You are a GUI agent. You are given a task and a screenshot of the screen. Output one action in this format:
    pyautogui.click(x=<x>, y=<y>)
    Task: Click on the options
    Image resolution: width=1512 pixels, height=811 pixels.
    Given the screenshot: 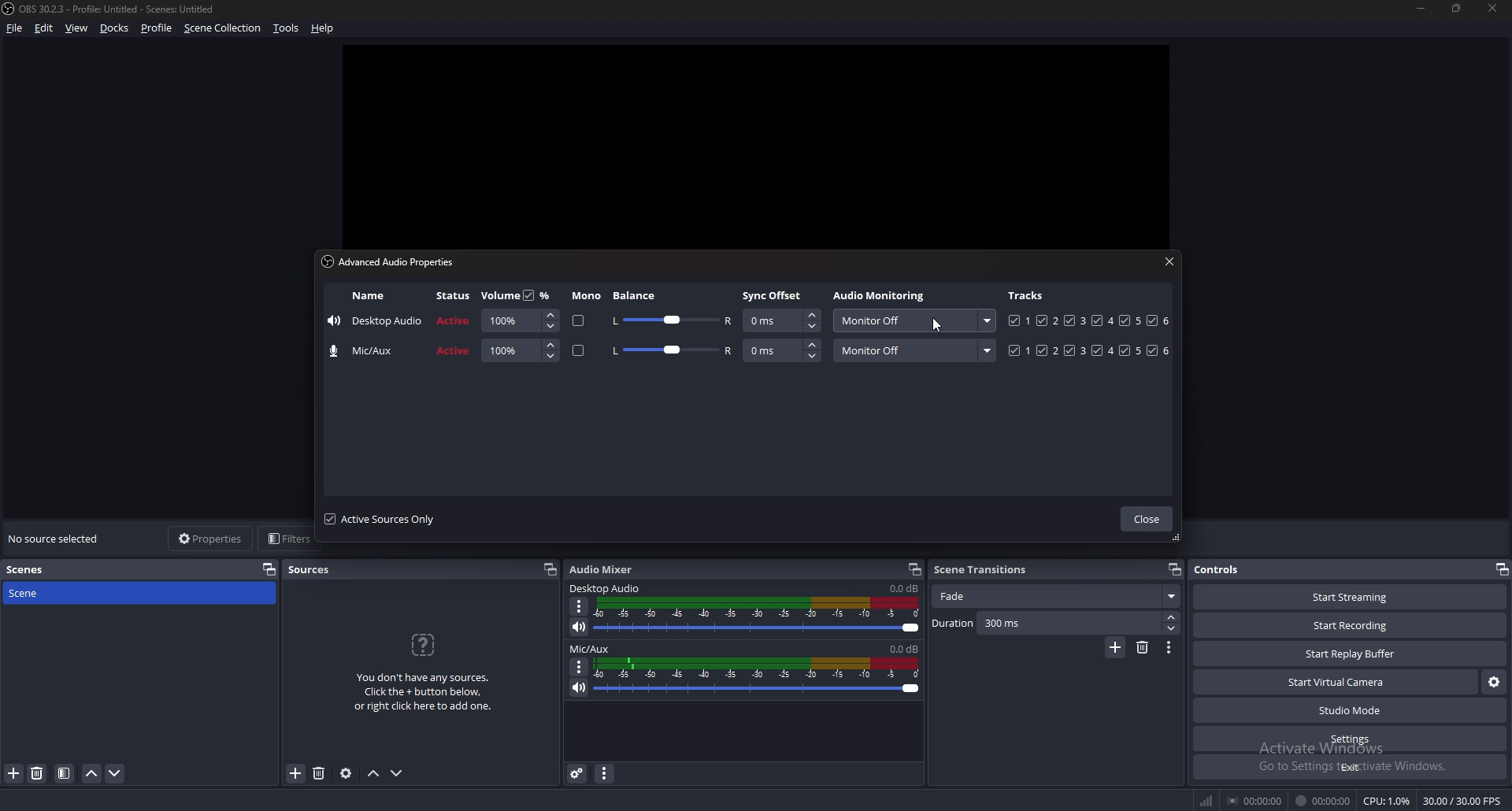 What is the action you would take?
    pyautogui.click(x=579, y=667)
    